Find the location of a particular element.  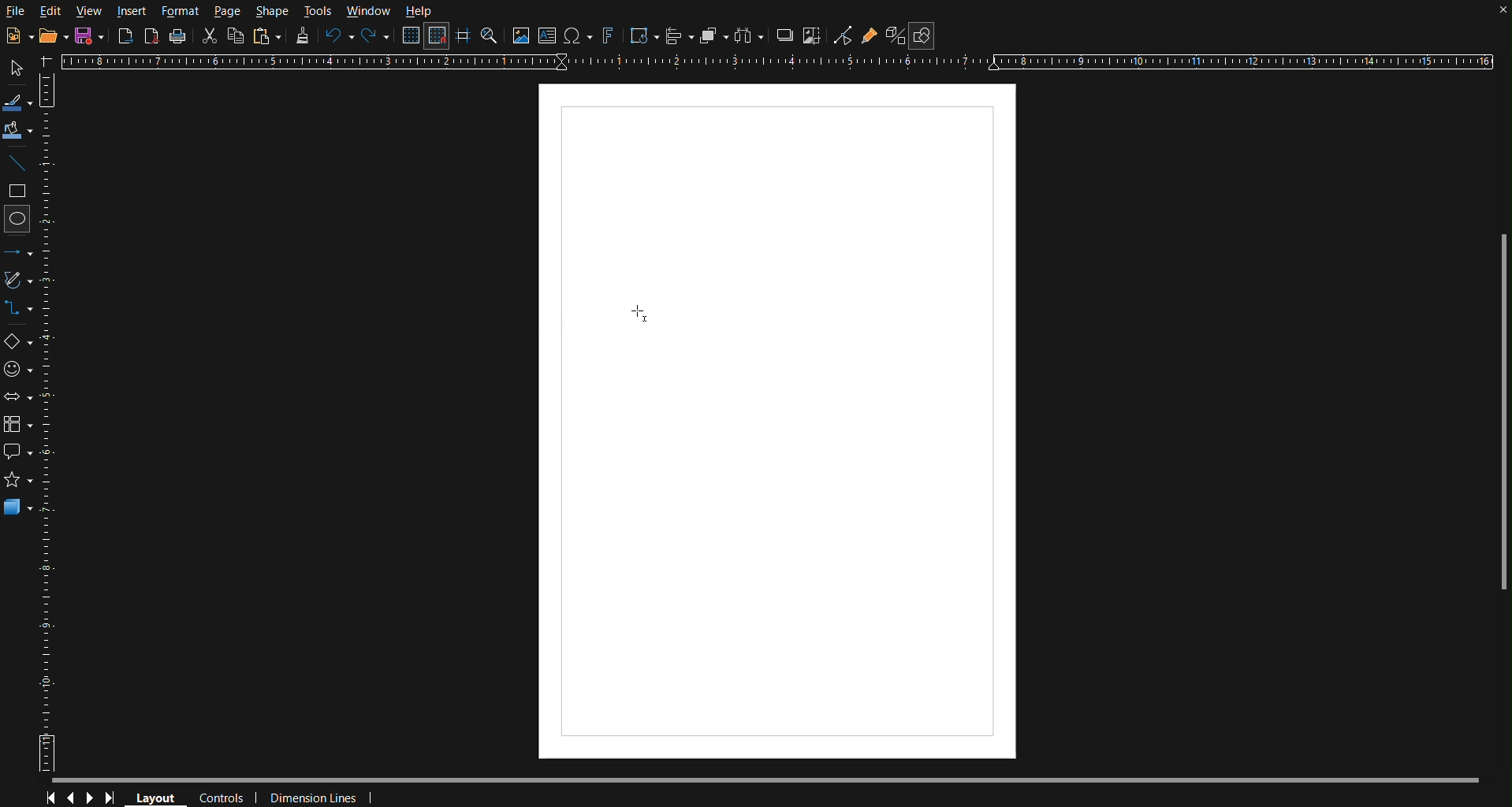

Shadow is located at coordinates (785, 36).